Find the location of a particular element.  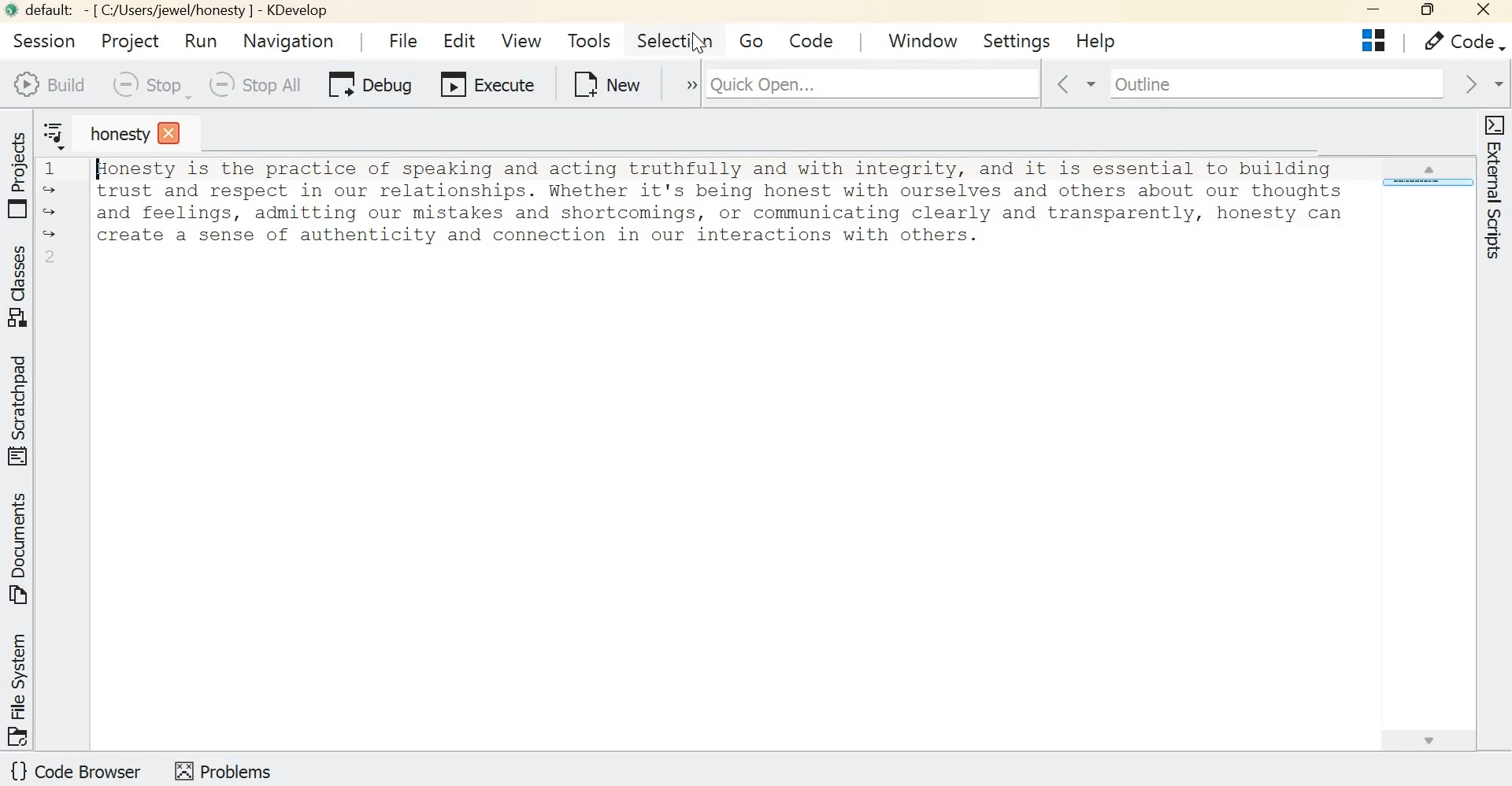

Build Selection is located at coordinates (49, 84).